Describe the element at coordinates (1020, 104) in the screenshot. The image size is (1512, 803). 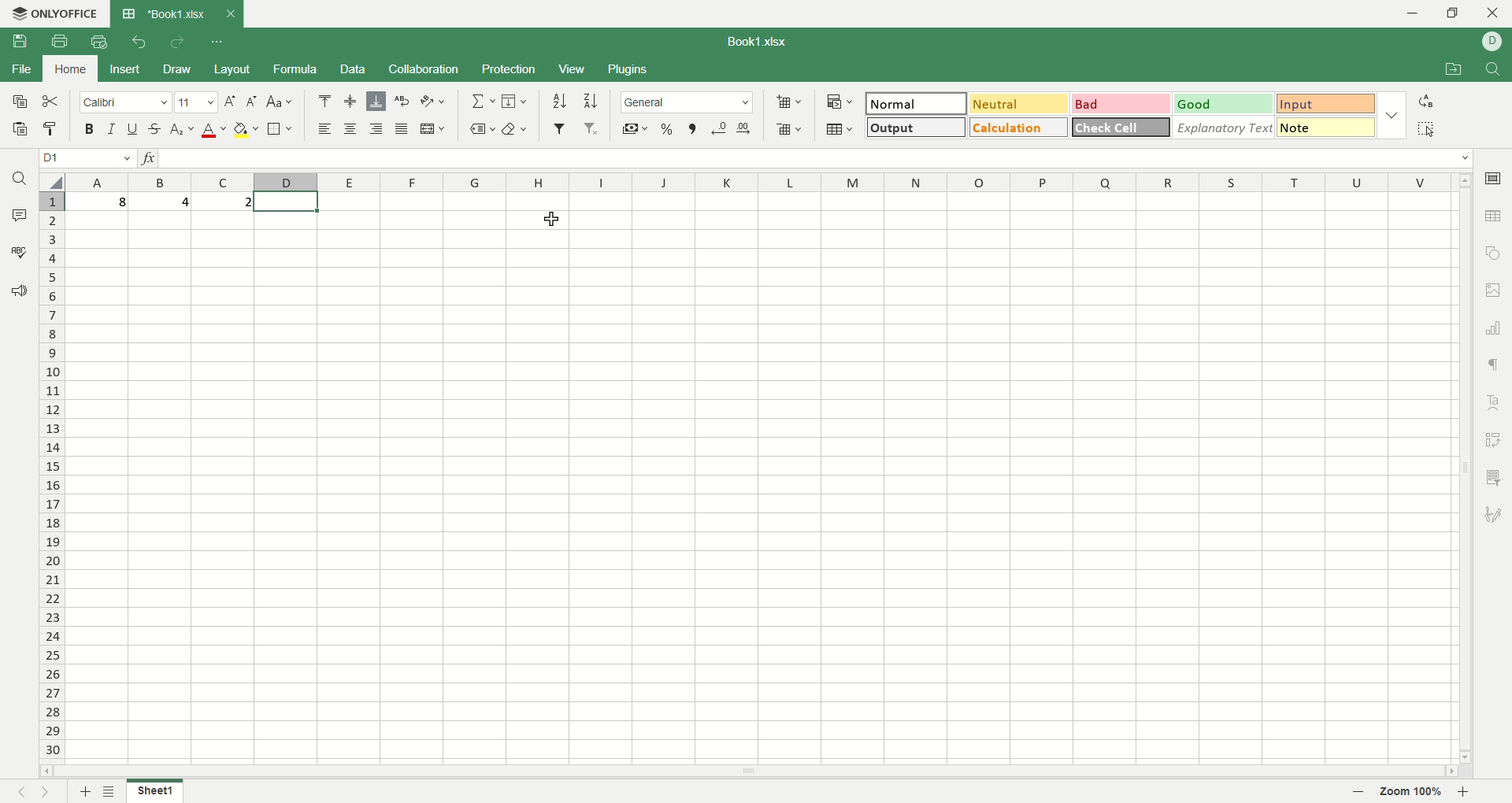
I see `neutral` at that location.